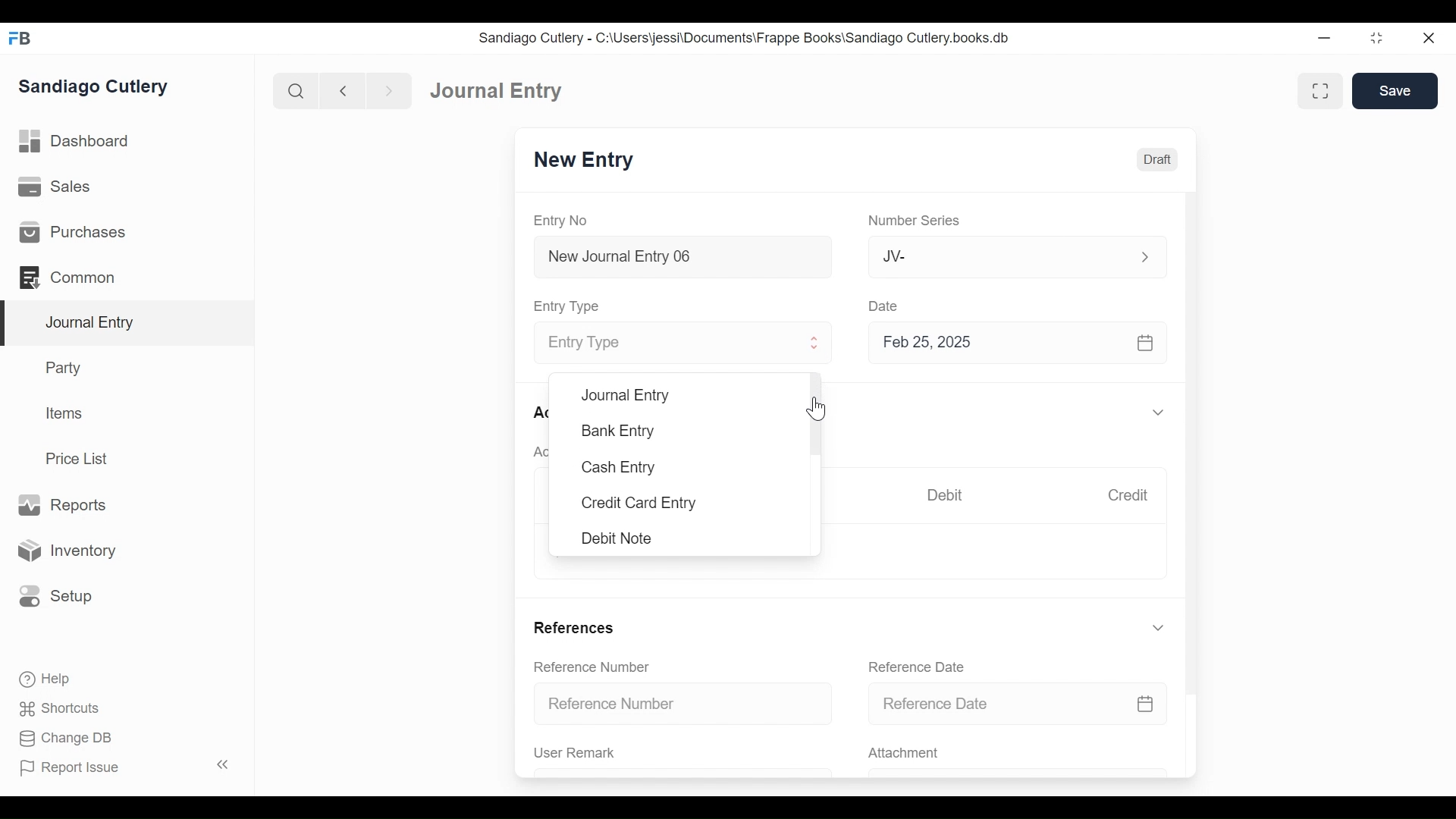 Image resolution: width=1456 pixels, height=819 pixels. I want to click on References, so click(573, 627).